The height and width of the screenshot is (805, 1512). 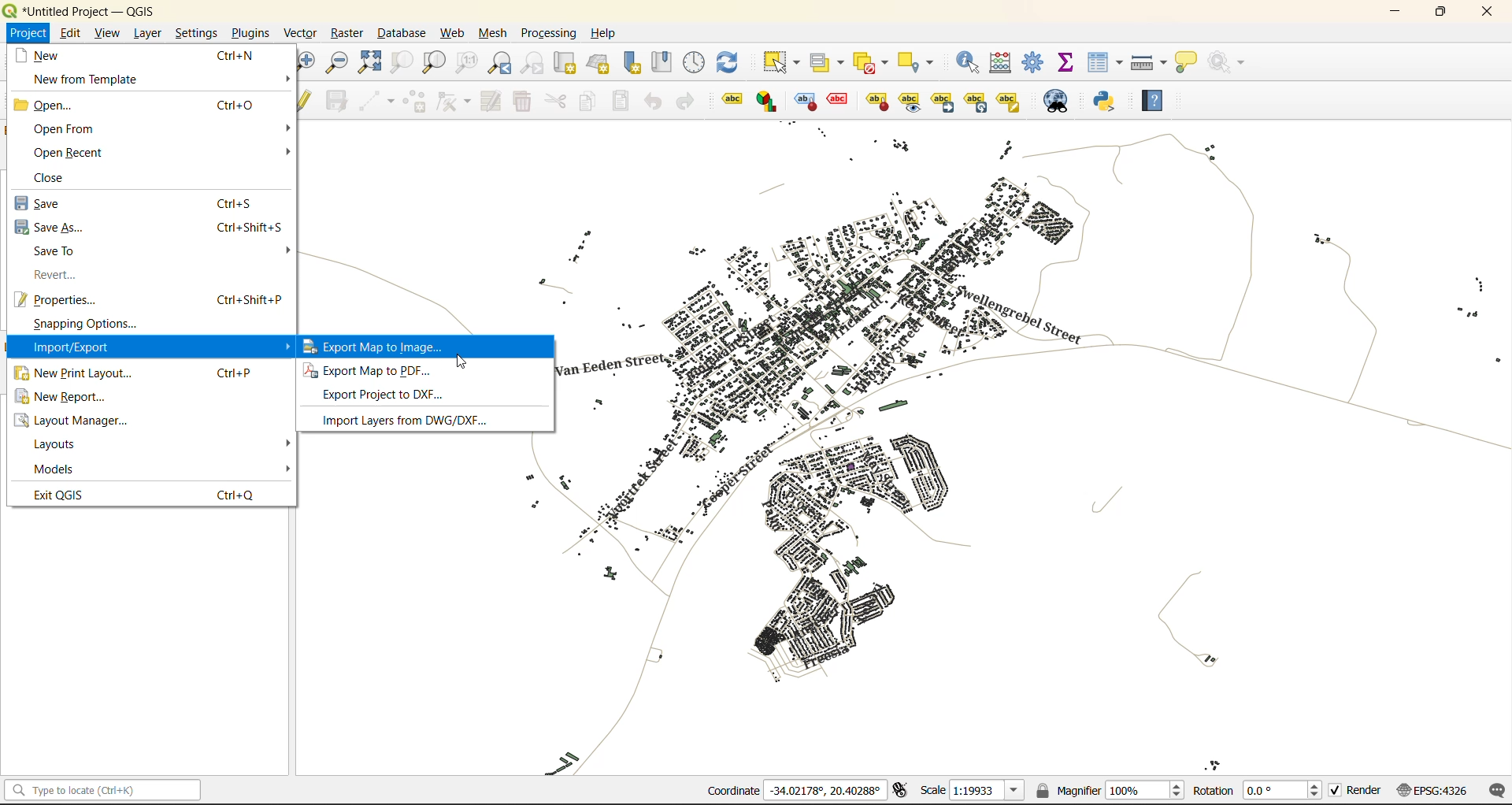 What do you see at coordinates (876, 100) in the screenshot?
I see `show/hide lable and diagram ` at bounding box center [876, 100].